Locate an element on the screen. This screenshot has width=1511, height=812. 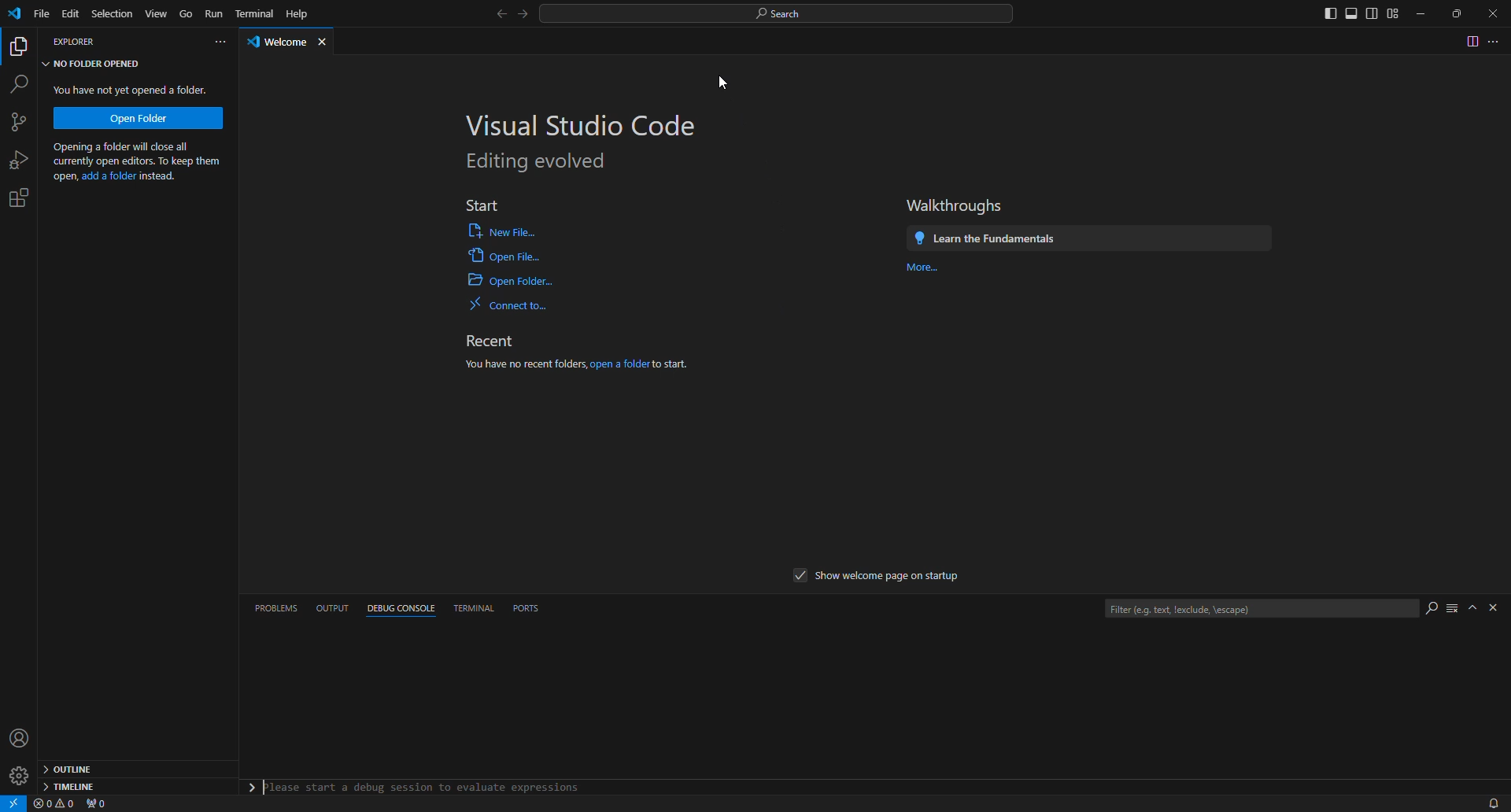
close is located at coordinates (1493, 609).